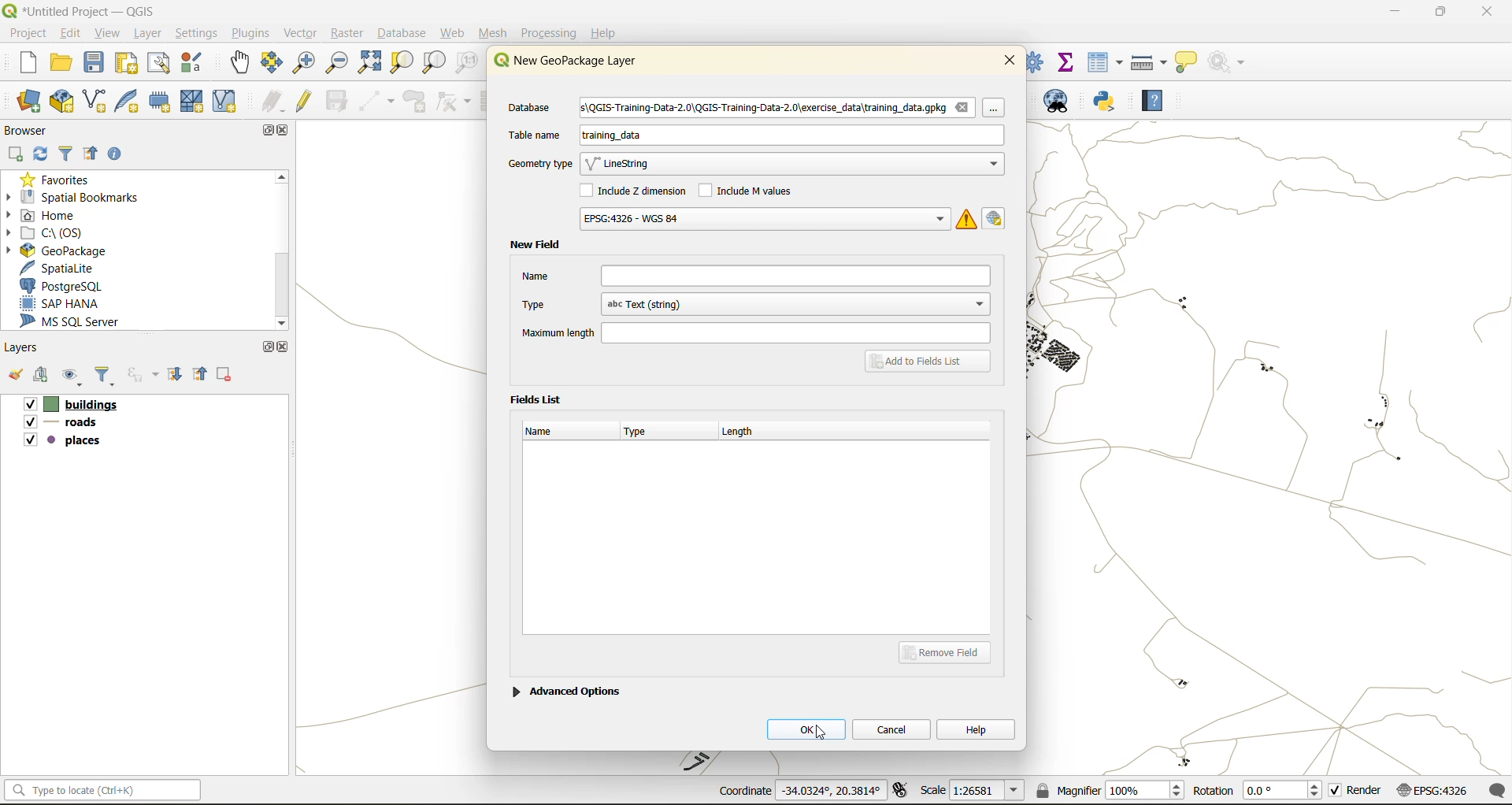  Describe the element at coordinates (59, 178) in the screenshot. I see `favorites` at that location.